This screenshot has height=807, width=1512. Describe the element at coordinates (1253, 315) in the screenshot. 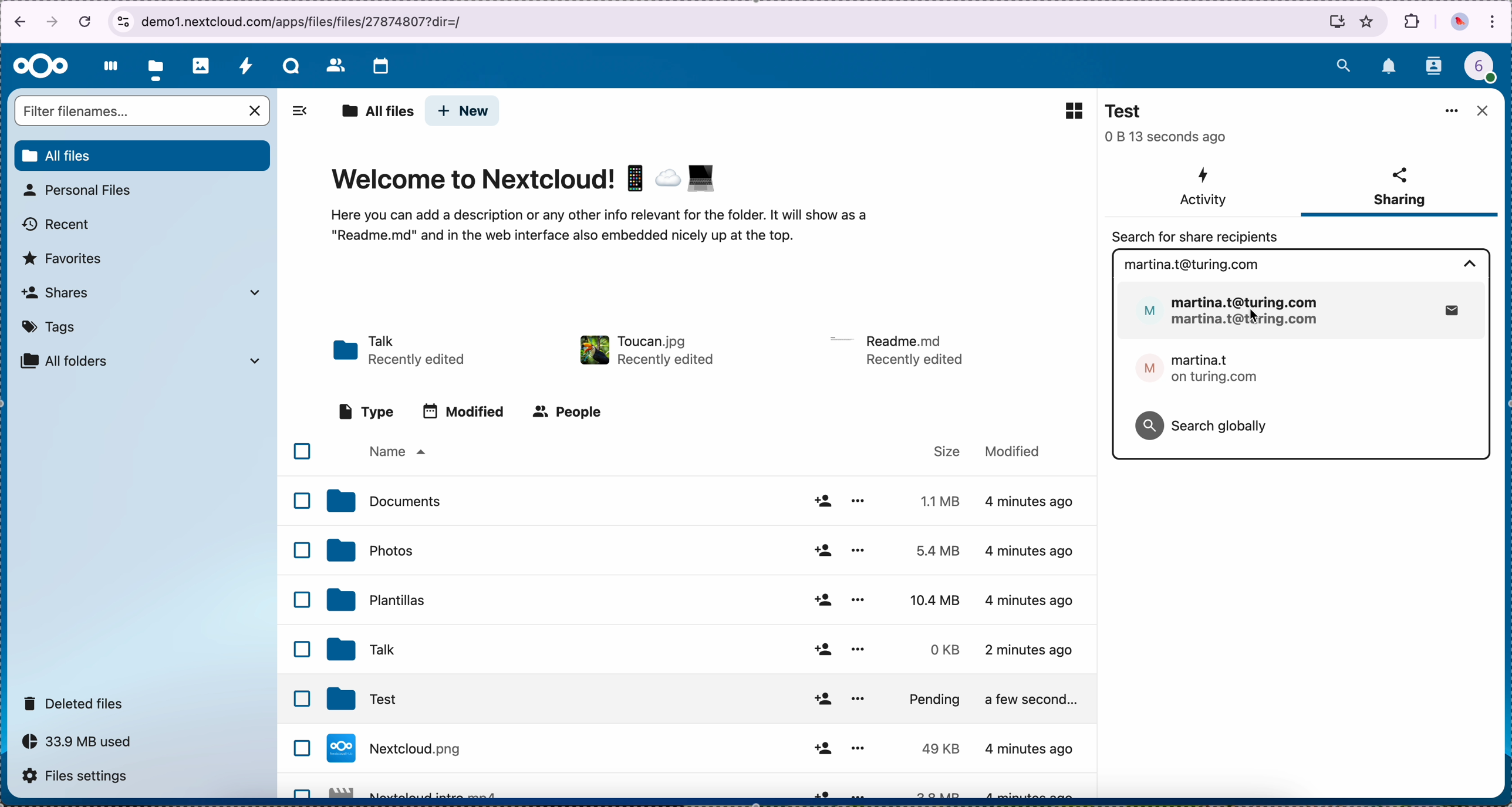

I see `cursor` at that location.